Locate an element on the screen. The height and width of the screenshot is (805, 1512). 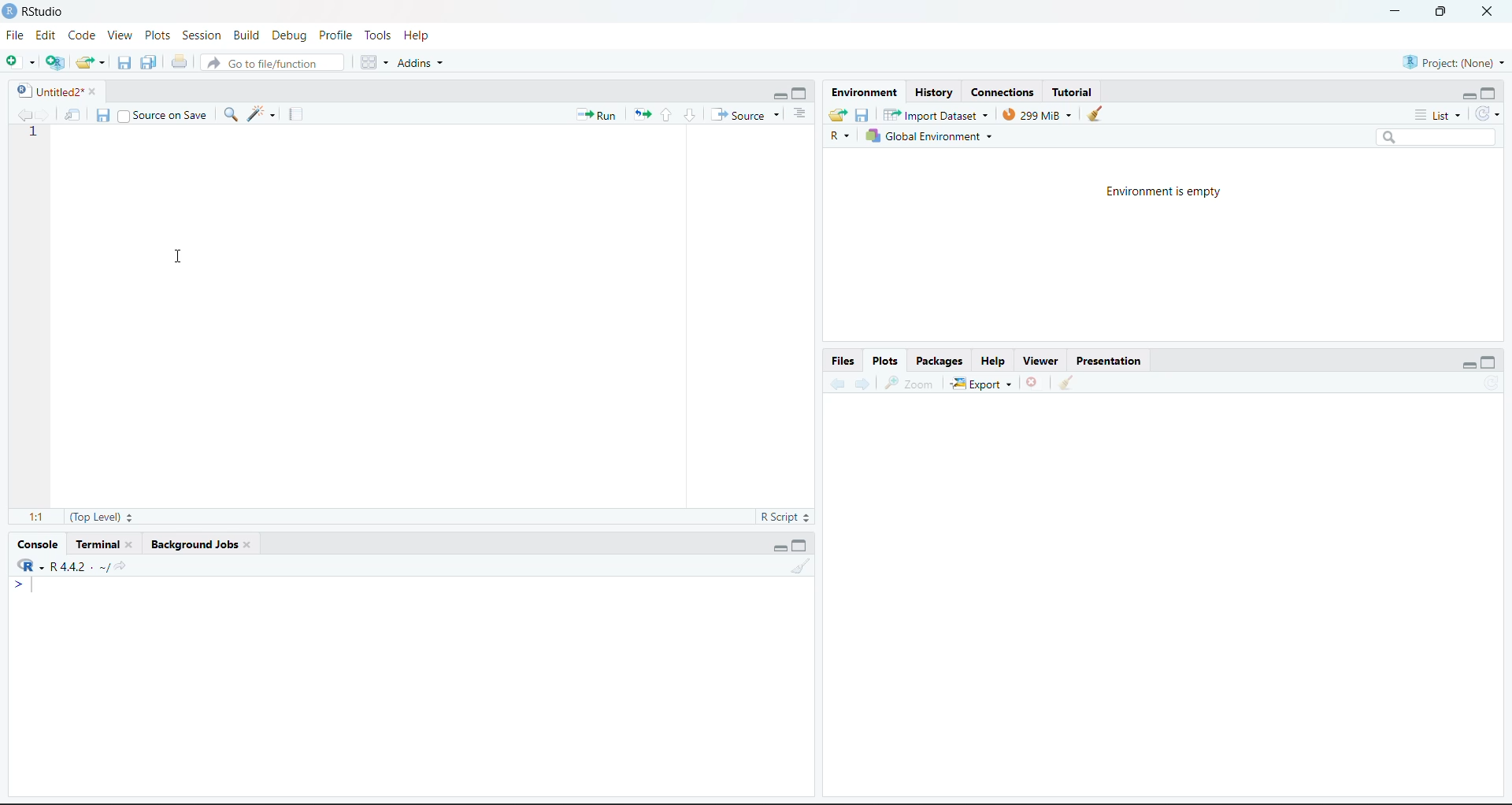
export is located at coordinates (983, 383).